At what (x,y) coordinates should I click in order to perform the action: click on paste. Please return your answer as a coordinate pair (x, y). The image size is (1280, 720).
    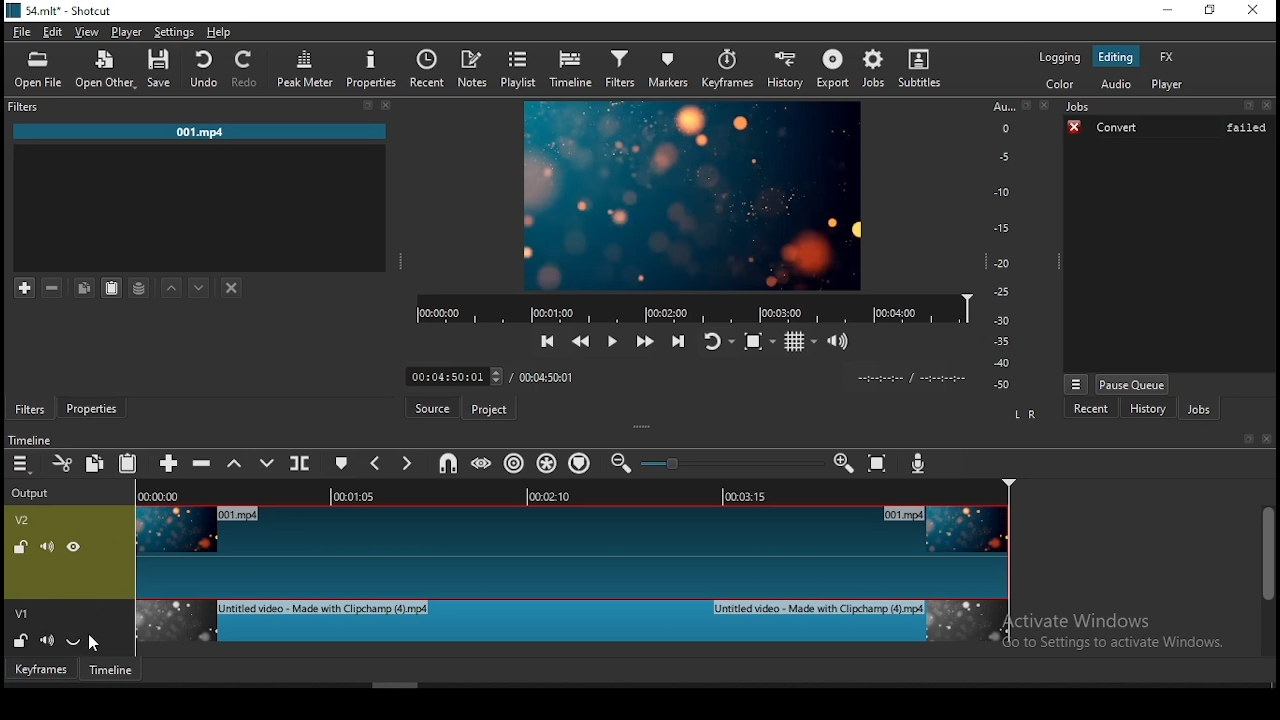
    Looking at the image, I should click on (111, 287).